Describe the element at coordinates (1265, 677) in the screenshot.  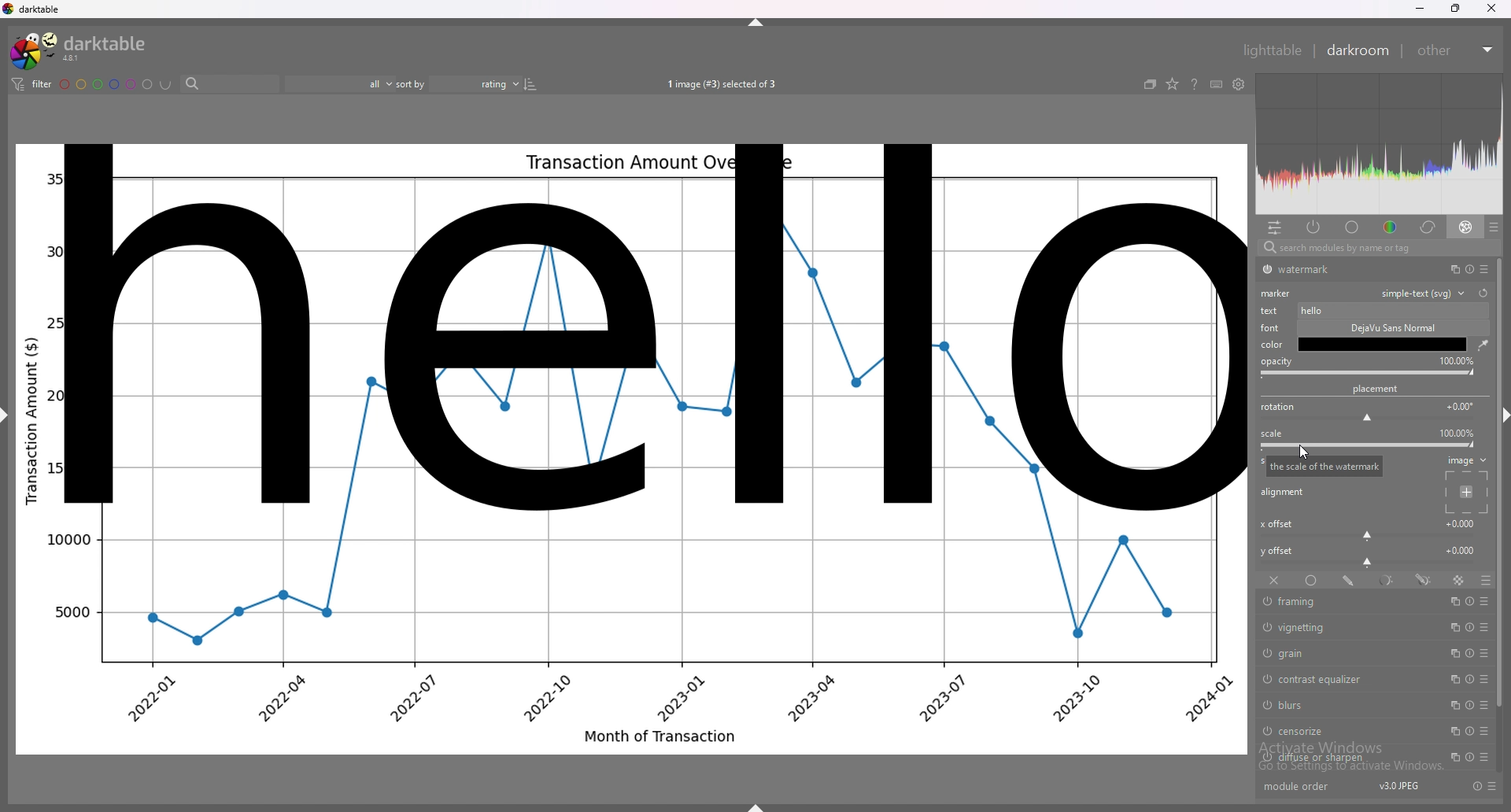
I see `switch off` at that location.